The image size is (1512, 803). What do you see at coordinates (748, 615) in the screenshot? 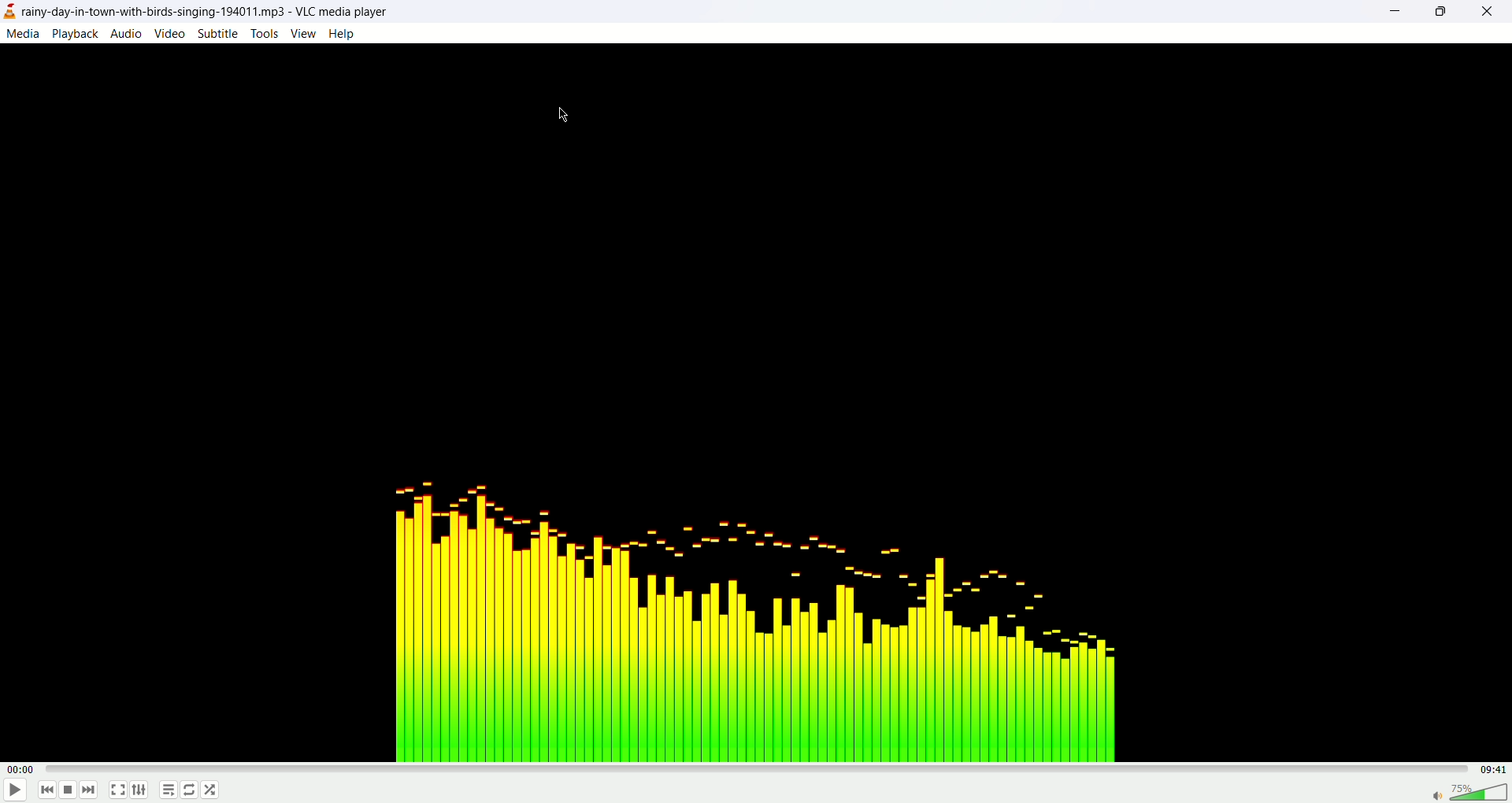
I see `audio tunes` at bounding box center [748, 615].